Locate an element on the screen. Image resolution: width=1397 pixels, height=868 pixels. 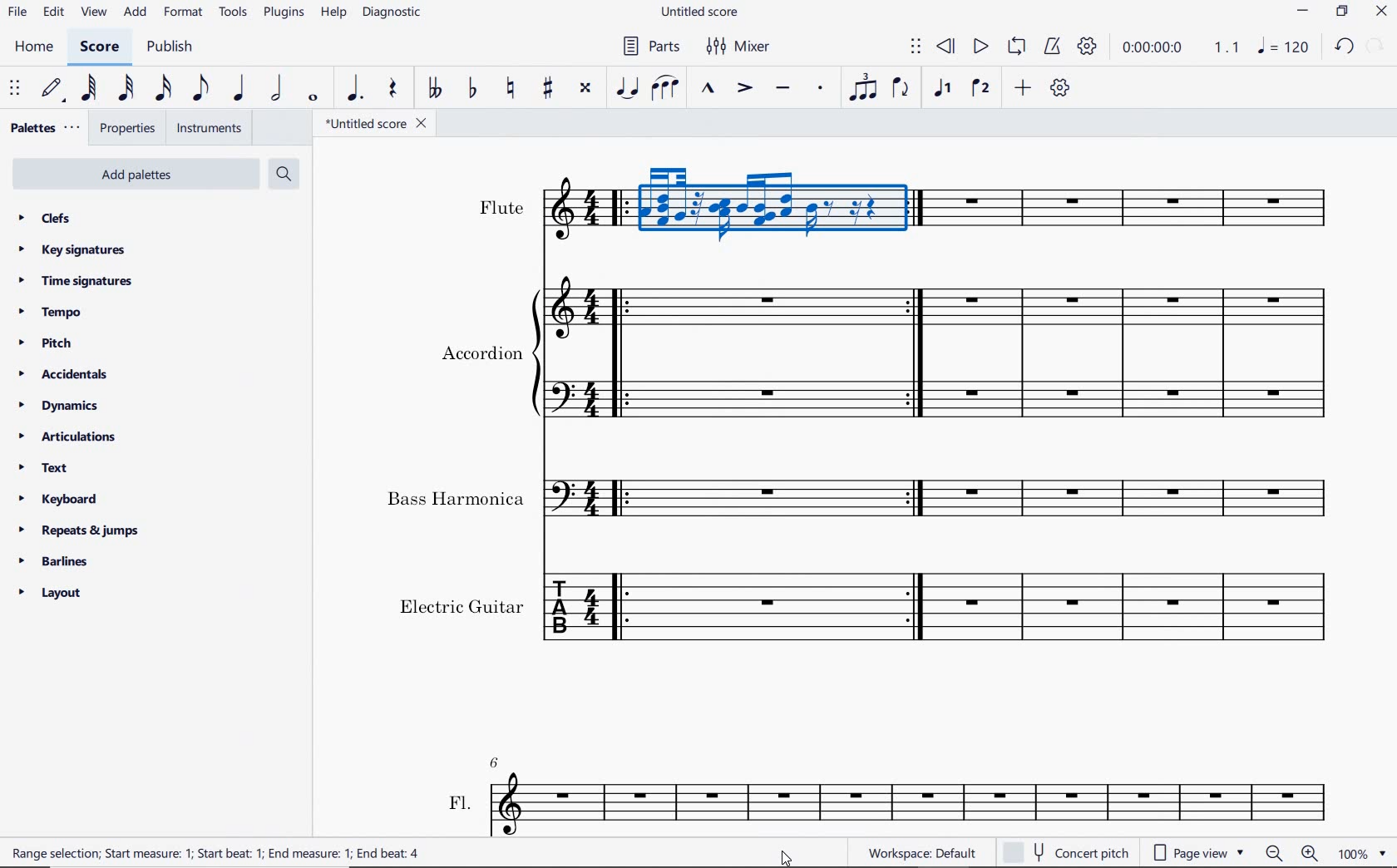
rest is located at coordinates (397, 89).